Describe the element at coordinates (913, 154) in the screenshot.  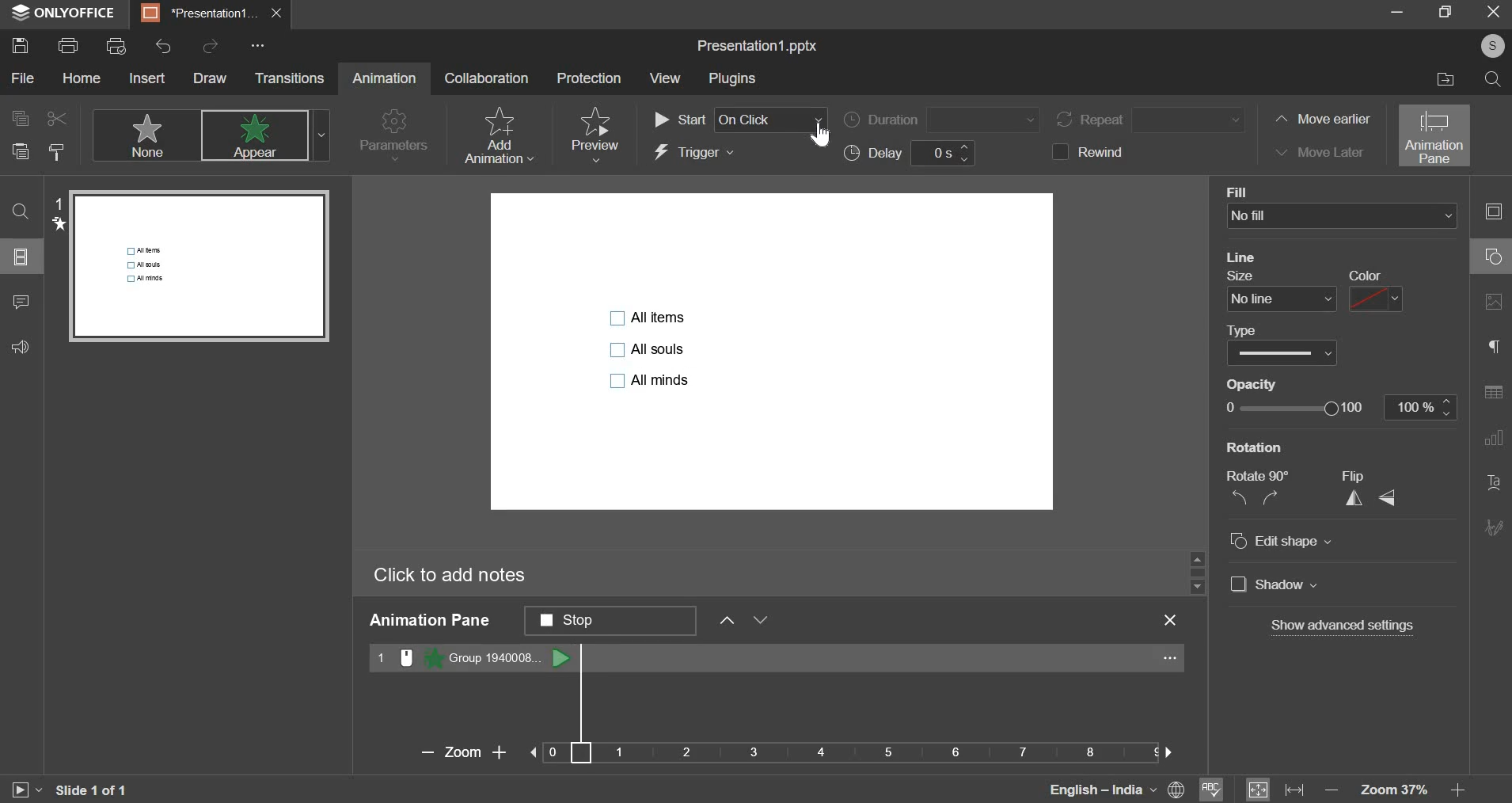
I see `delay` at that location.